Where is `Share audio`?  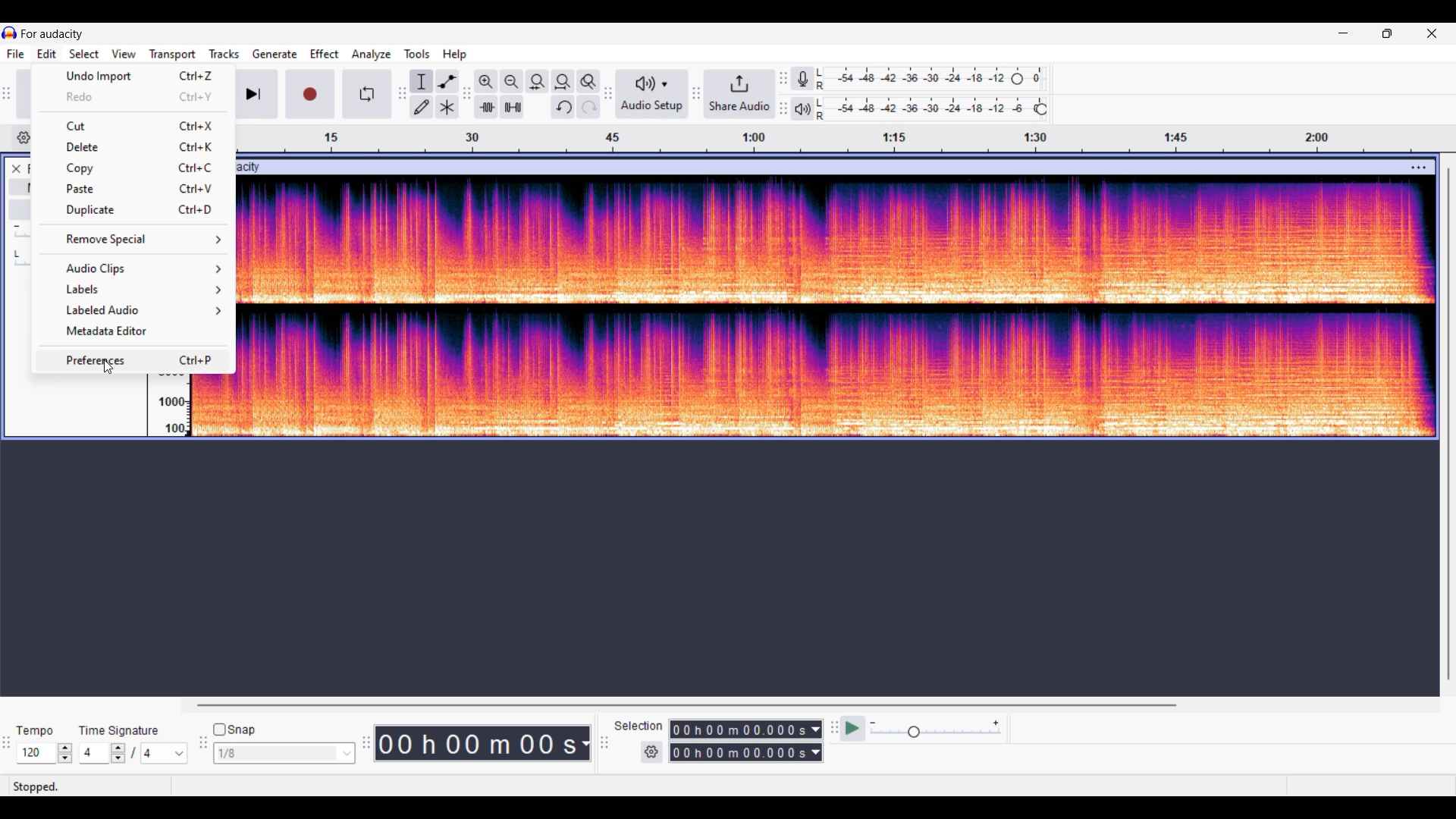
Share audio is located at coordinates (739, 93).